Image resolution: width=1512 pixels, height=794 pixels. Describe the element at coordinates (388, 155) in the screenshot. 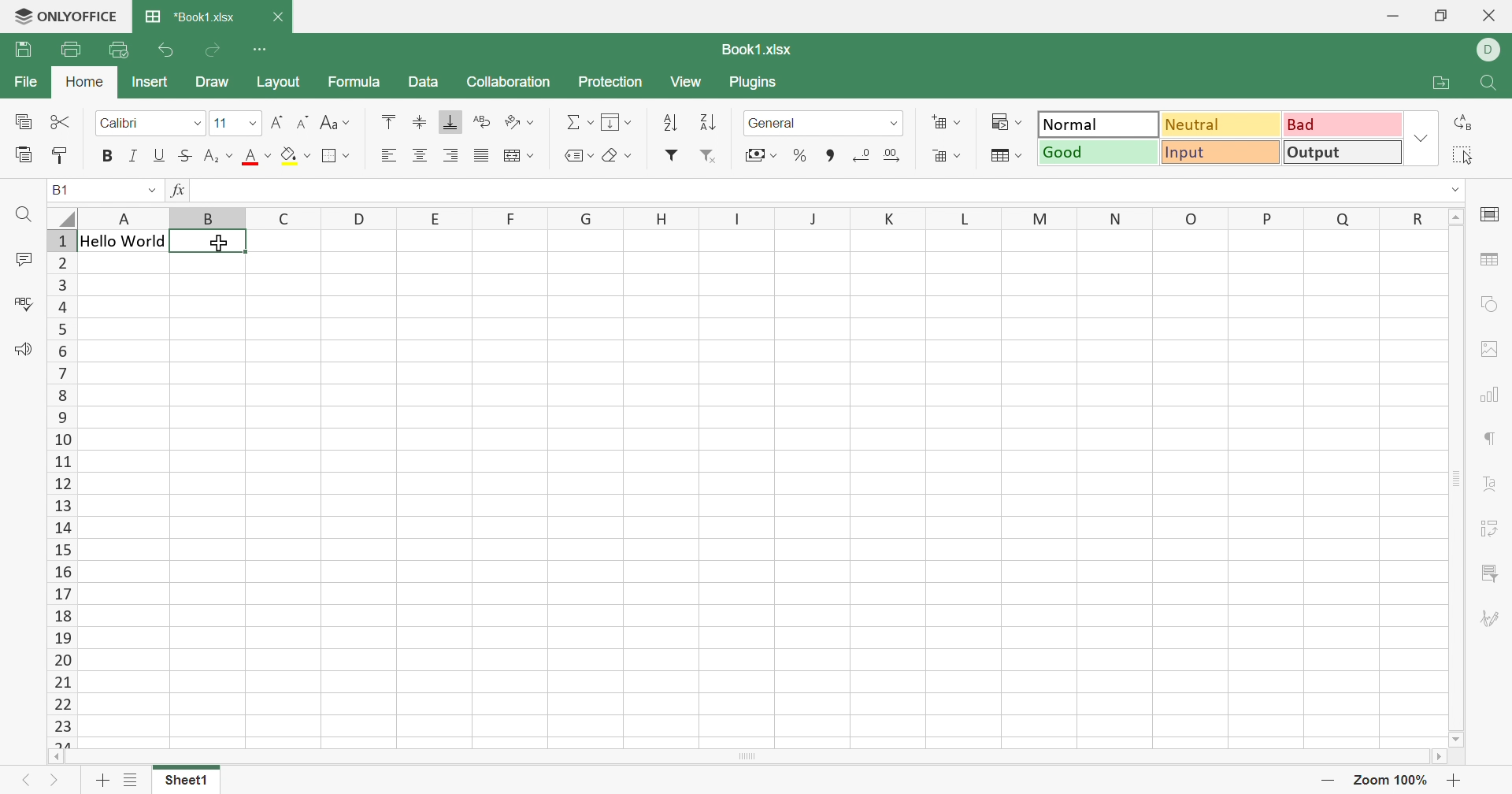

I see `Align left` at that location.